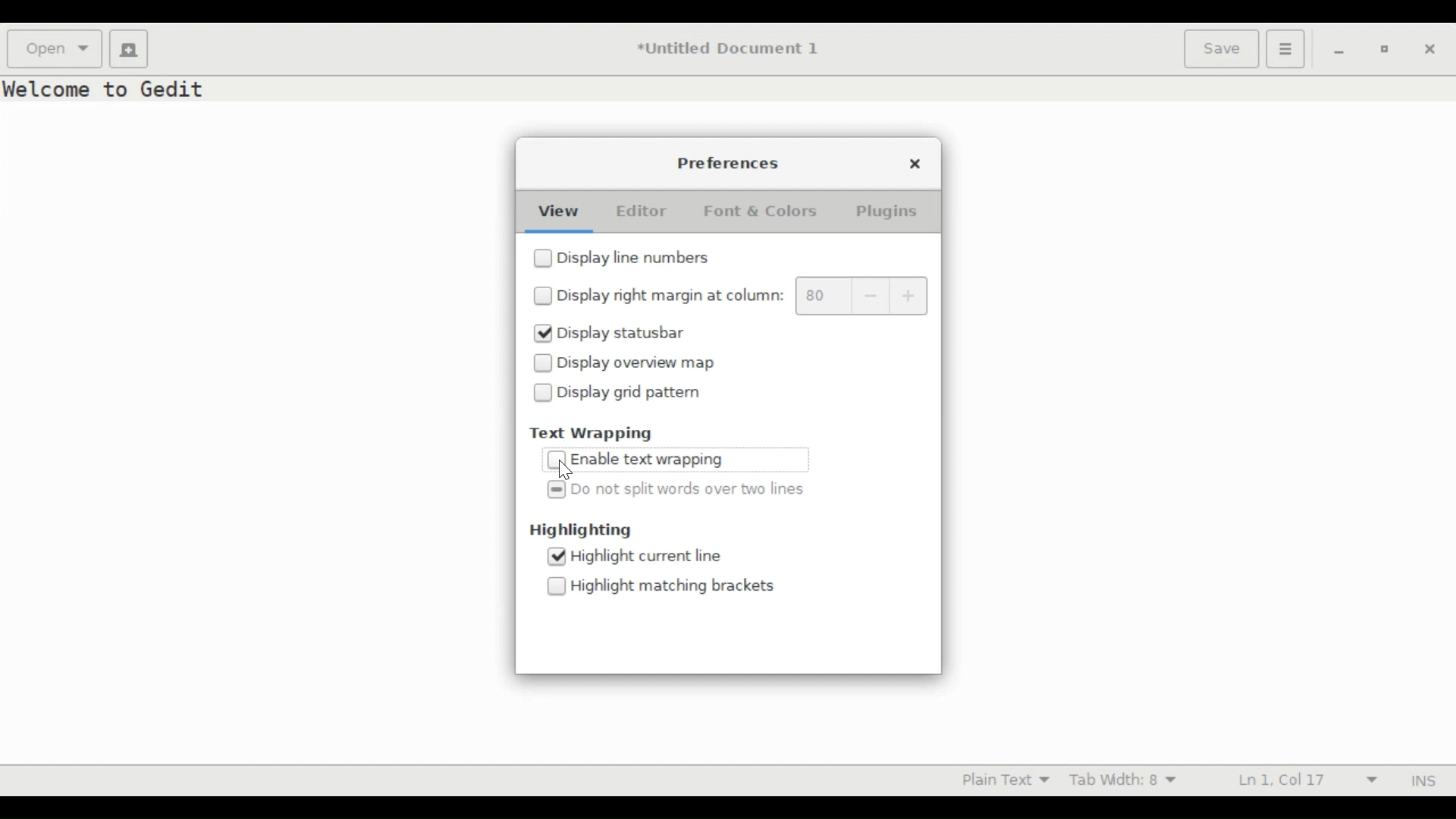  What do you see at coordinates (542, 259) in the screenshot?
I see `checkbox` at bounding box center [542, 259].